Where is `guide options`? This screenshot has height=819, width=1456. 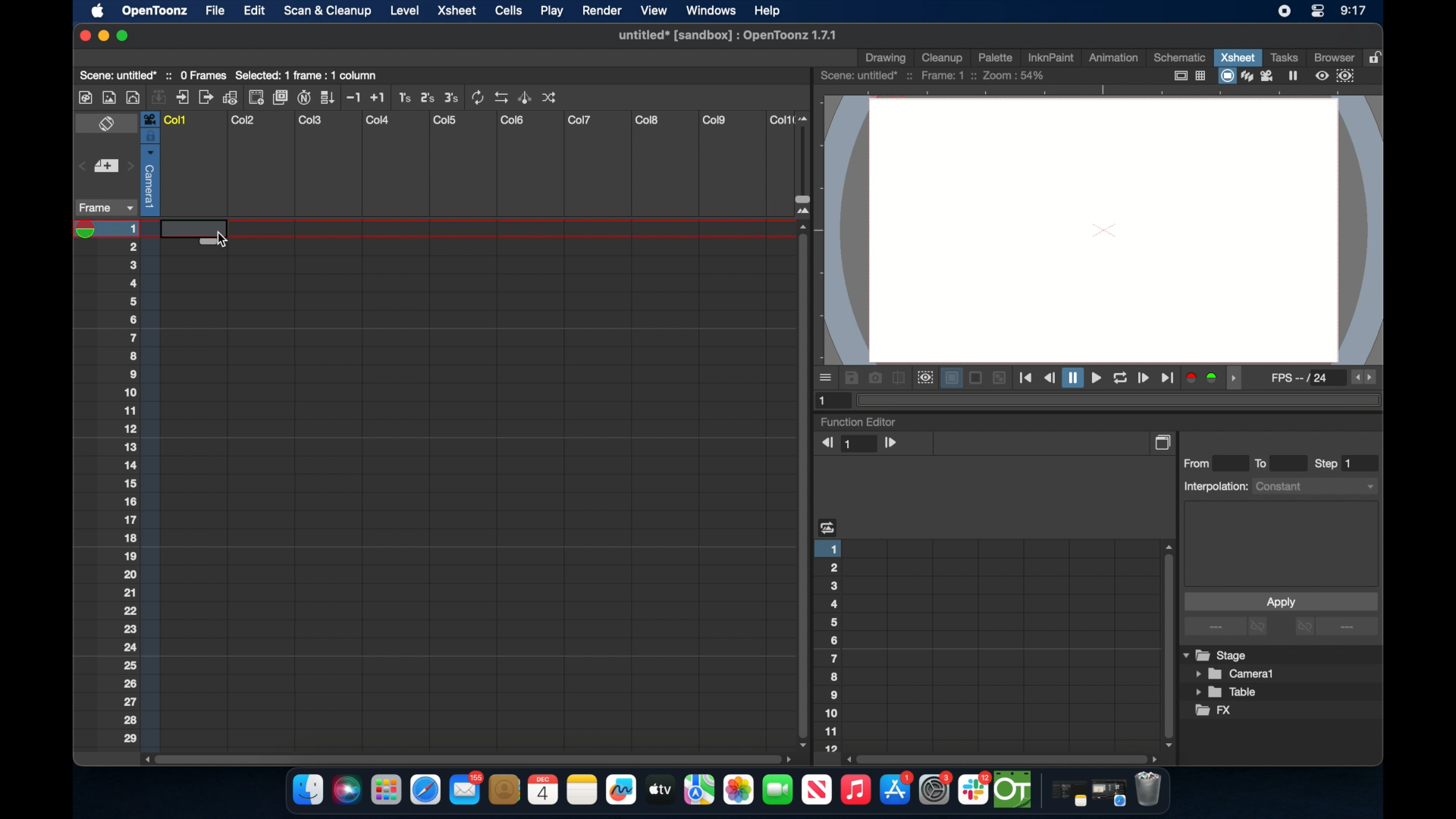
guide options is located at coordinates (1188, 76).